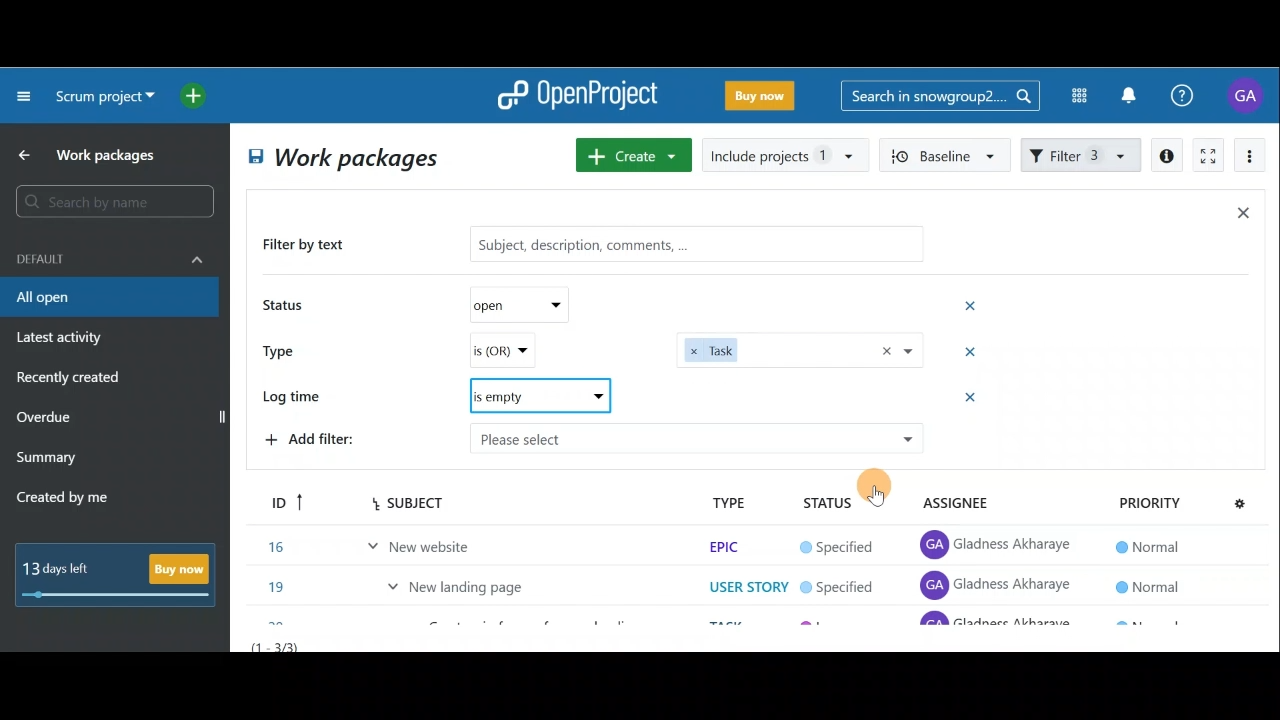 The height and width of the screenshot is (720, 1280). I want to click on Cursor, so click(879, 491).